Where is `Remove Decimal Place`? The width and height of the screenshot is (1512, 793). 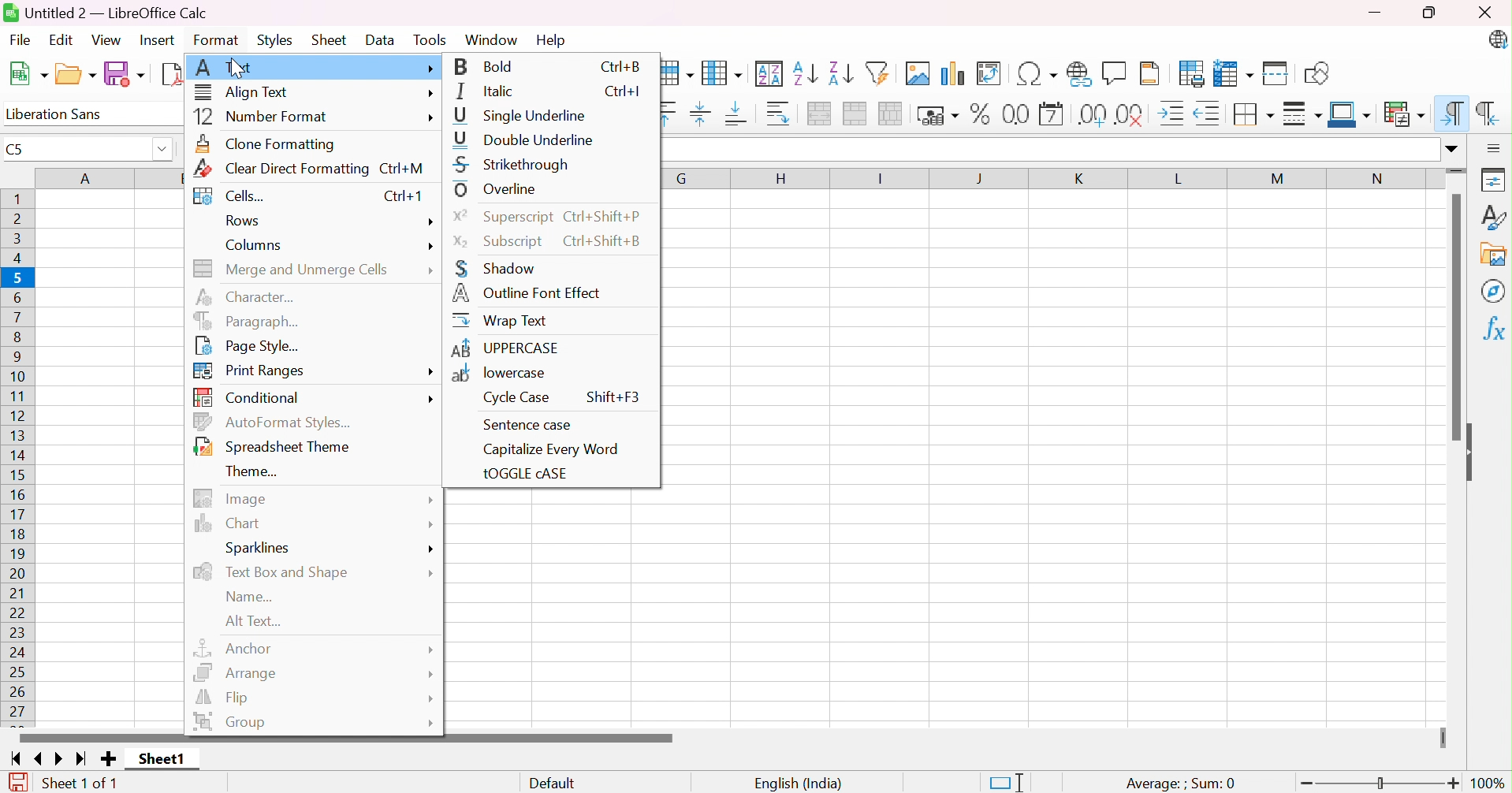
Remove Decimal Place is located at coordinates (1130, 115).